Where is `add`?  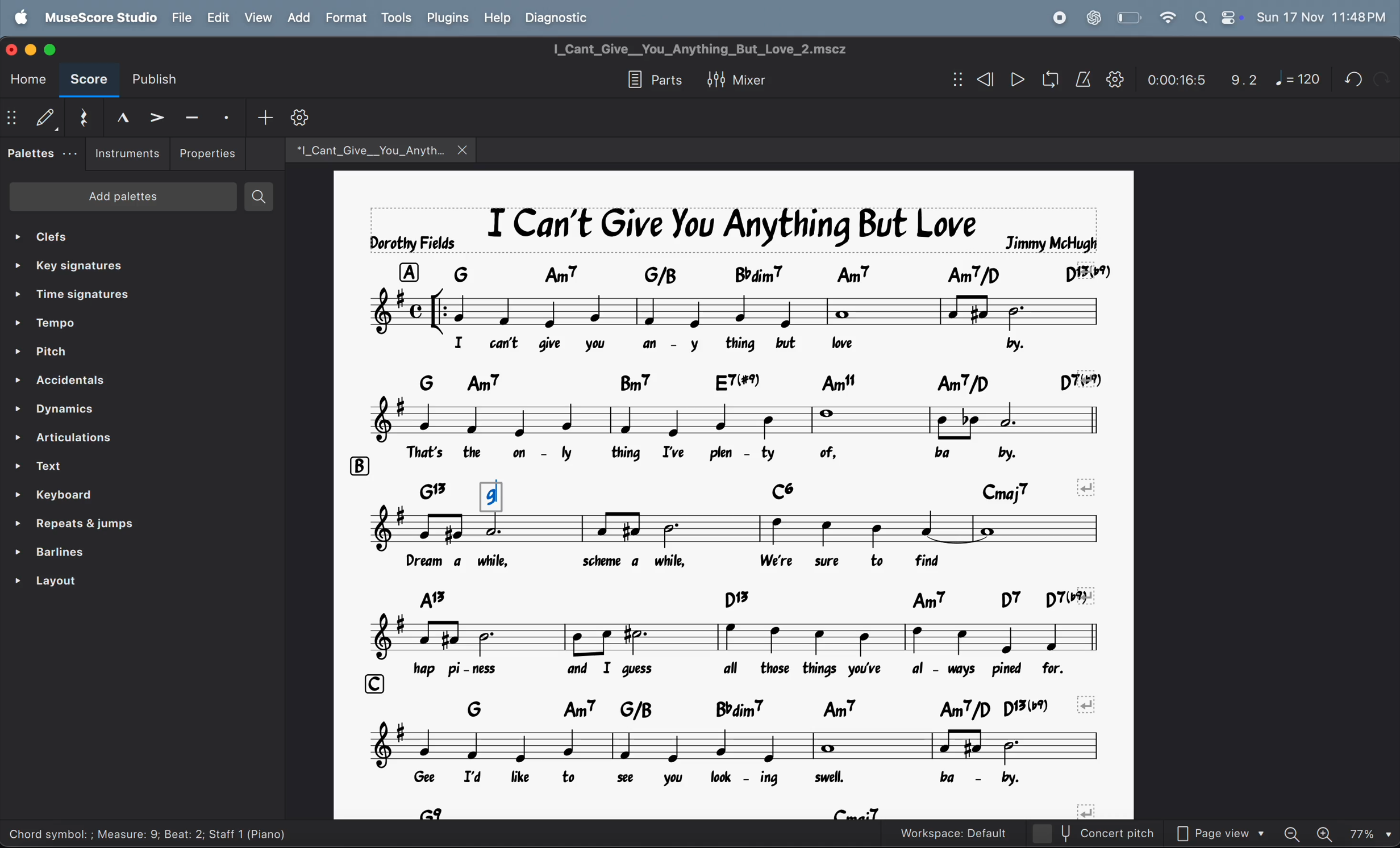
add is located at coordinates (299, 18).